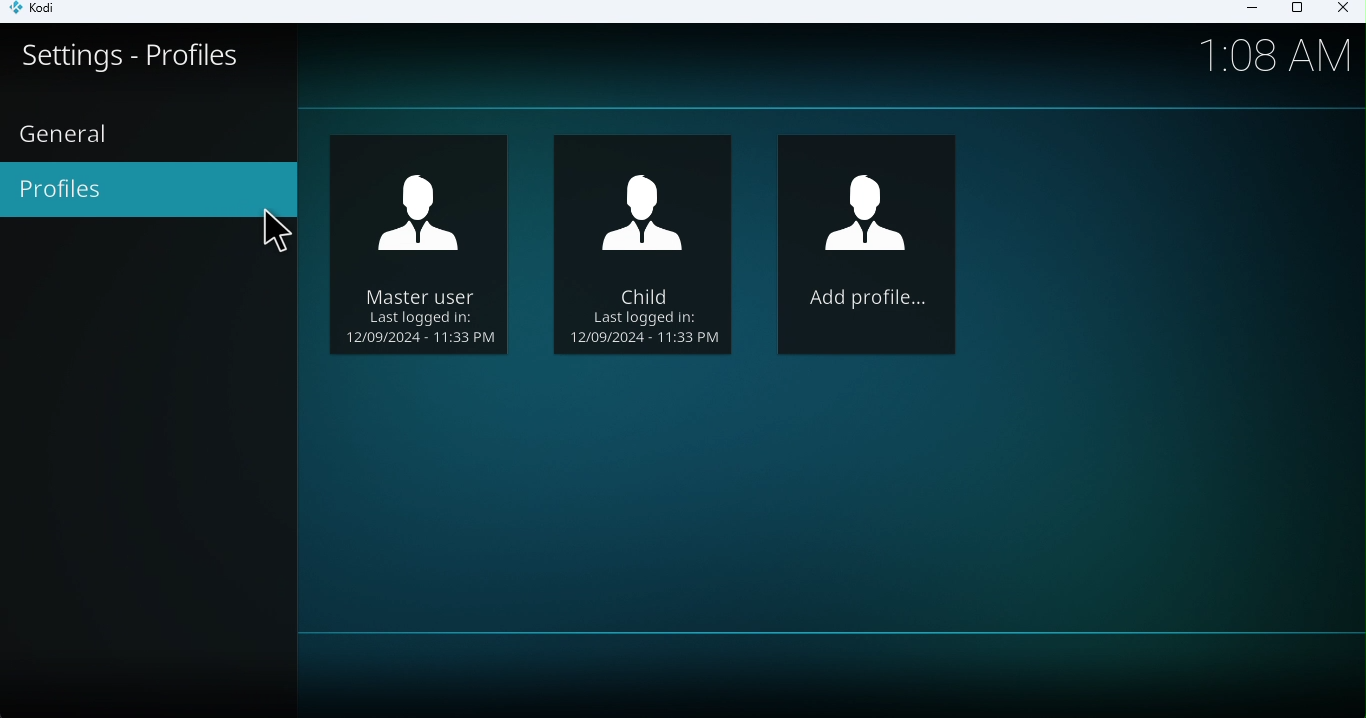 The image size is (1366, 718). I want to click on General, so click(68, 133).